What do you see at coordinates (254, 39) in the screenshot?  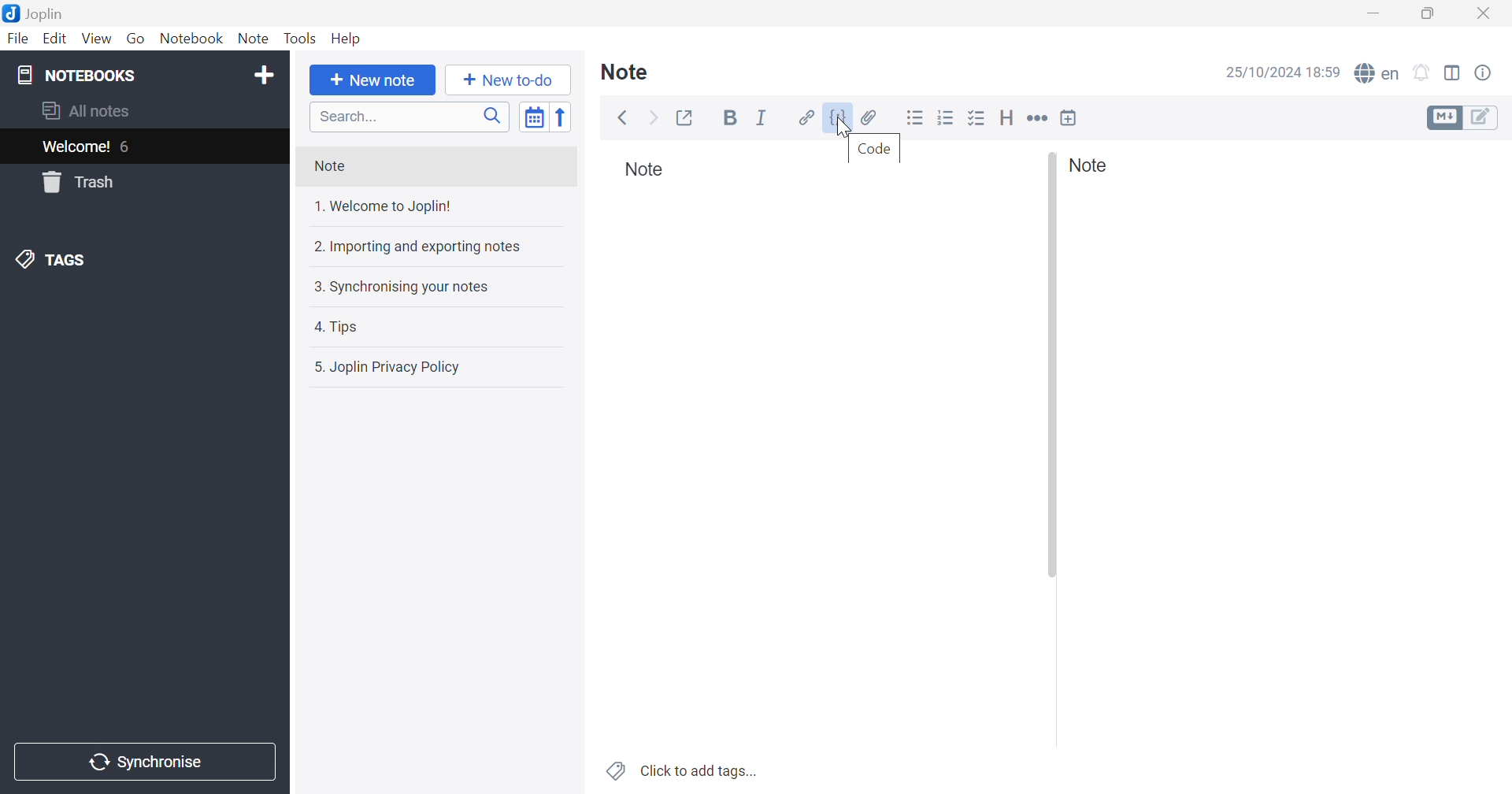 I see `Note` at bounding box center [254, 39].